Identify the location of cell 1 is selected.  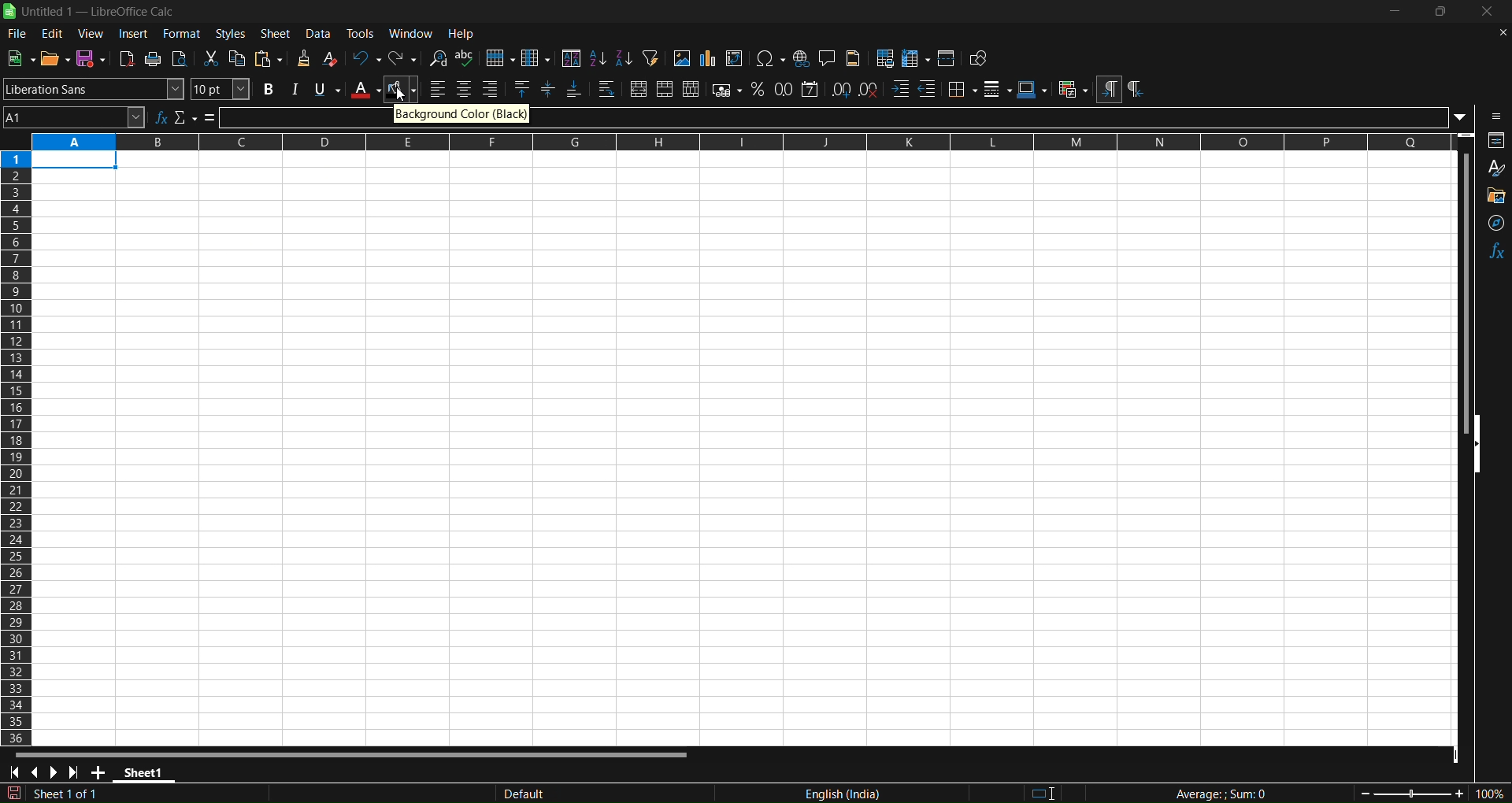
(73, 159).